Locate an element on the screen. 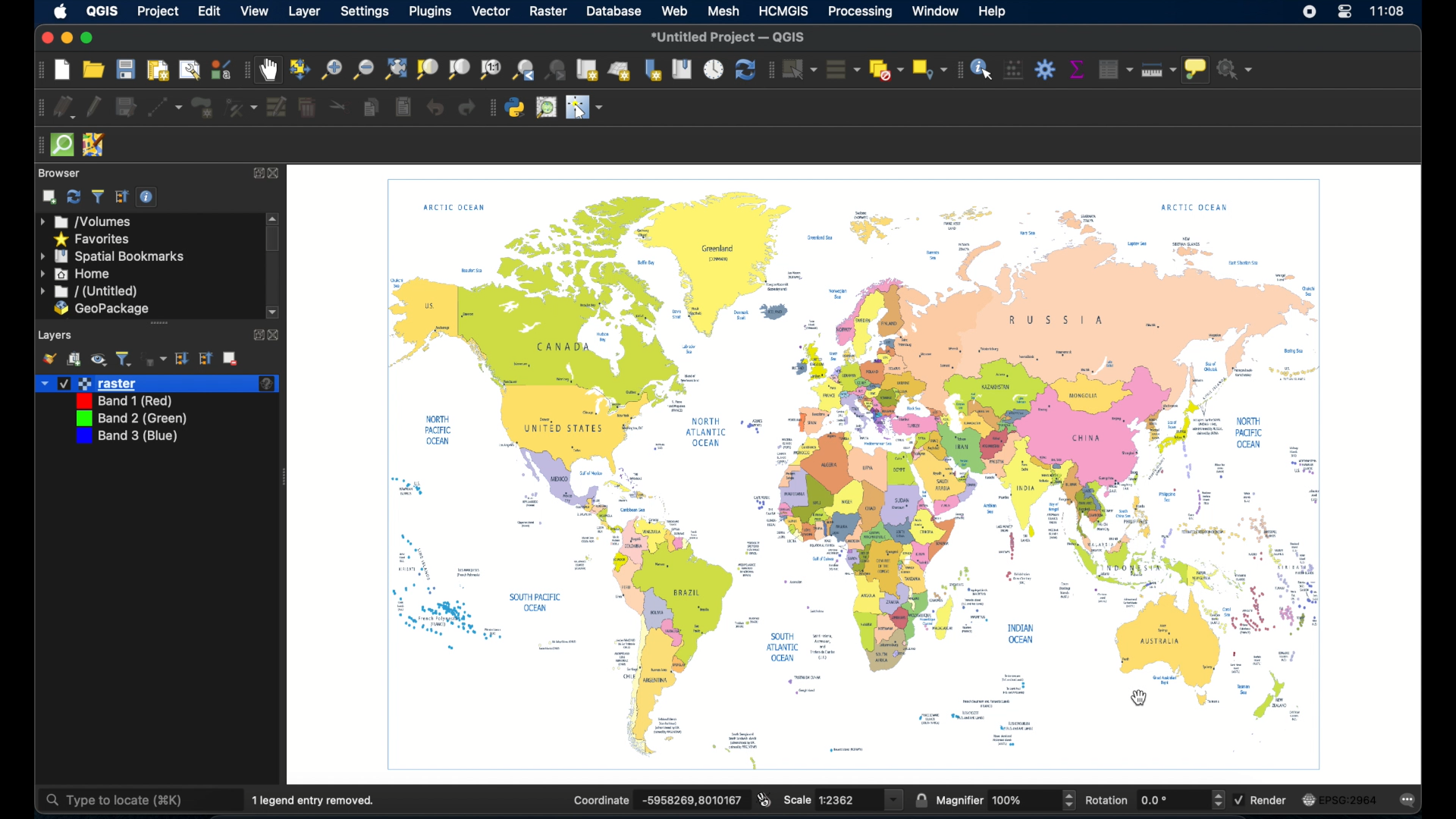 Image resolution: width=1456 pixels, height=819 pixels. maximize is located at coordinates (87, 38).